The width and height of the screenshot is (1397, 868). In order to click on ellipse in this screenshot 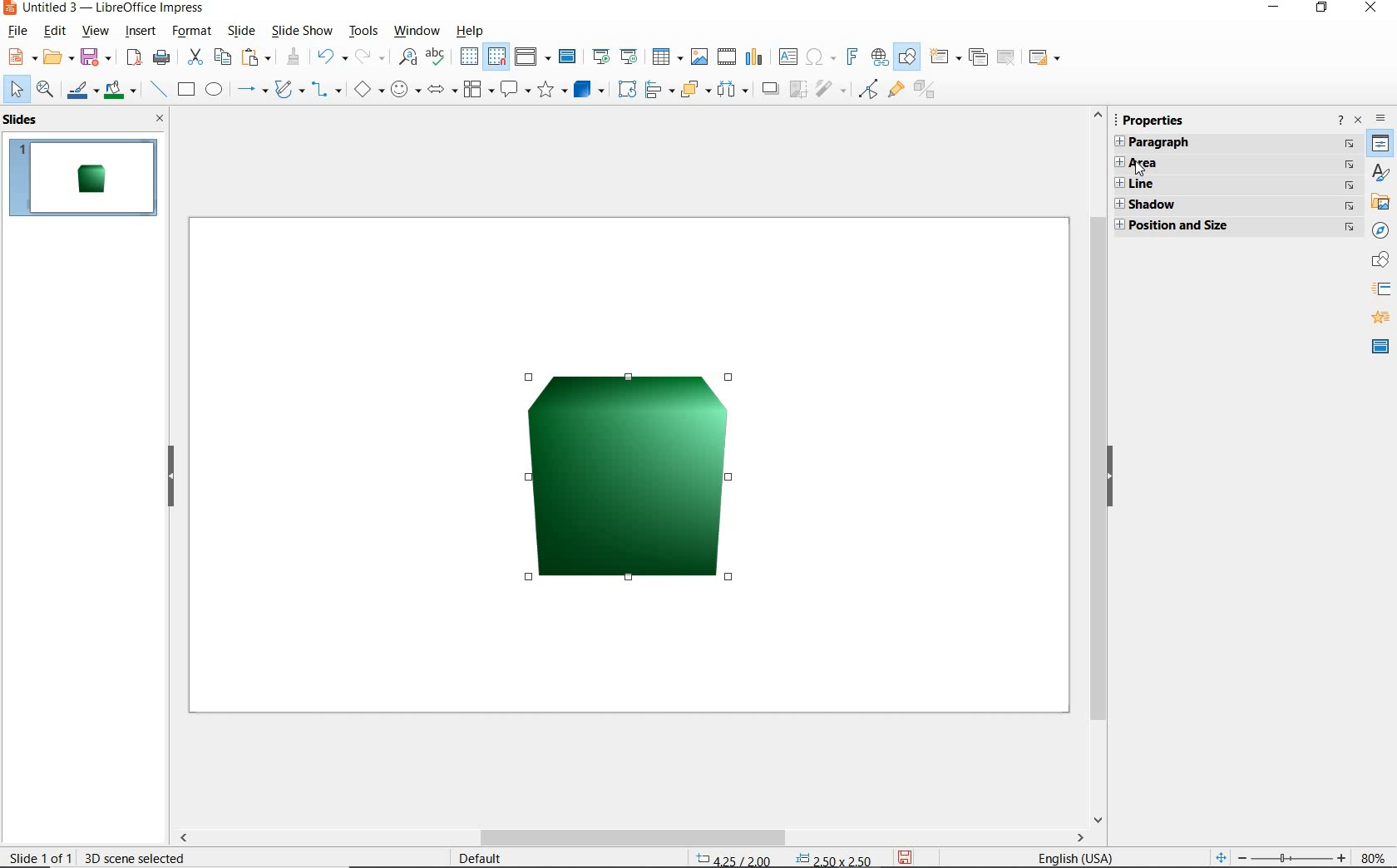, I will do `click(214, 90)`.